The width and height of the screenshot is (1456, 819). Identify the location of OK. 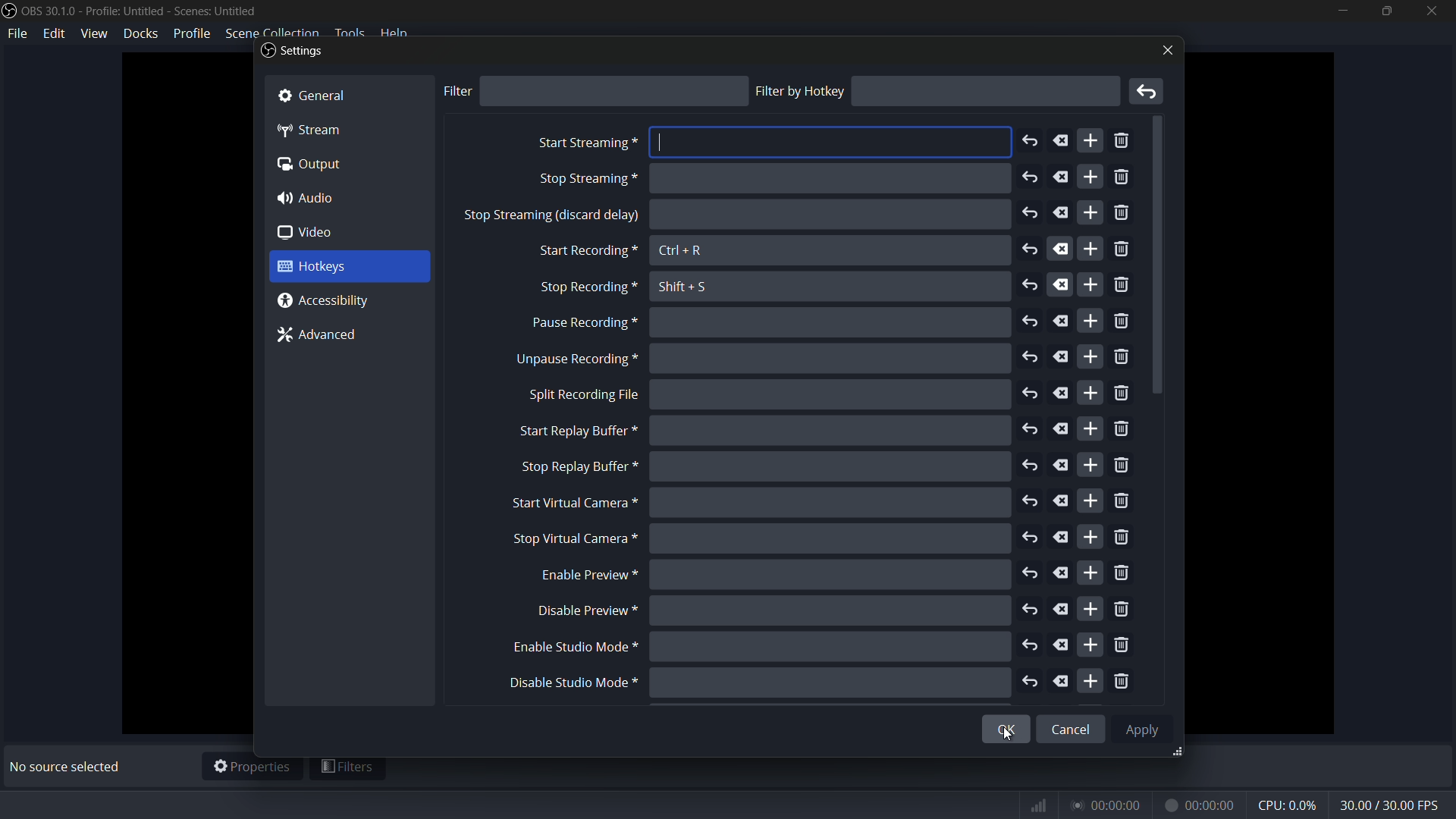
(1004, 730).